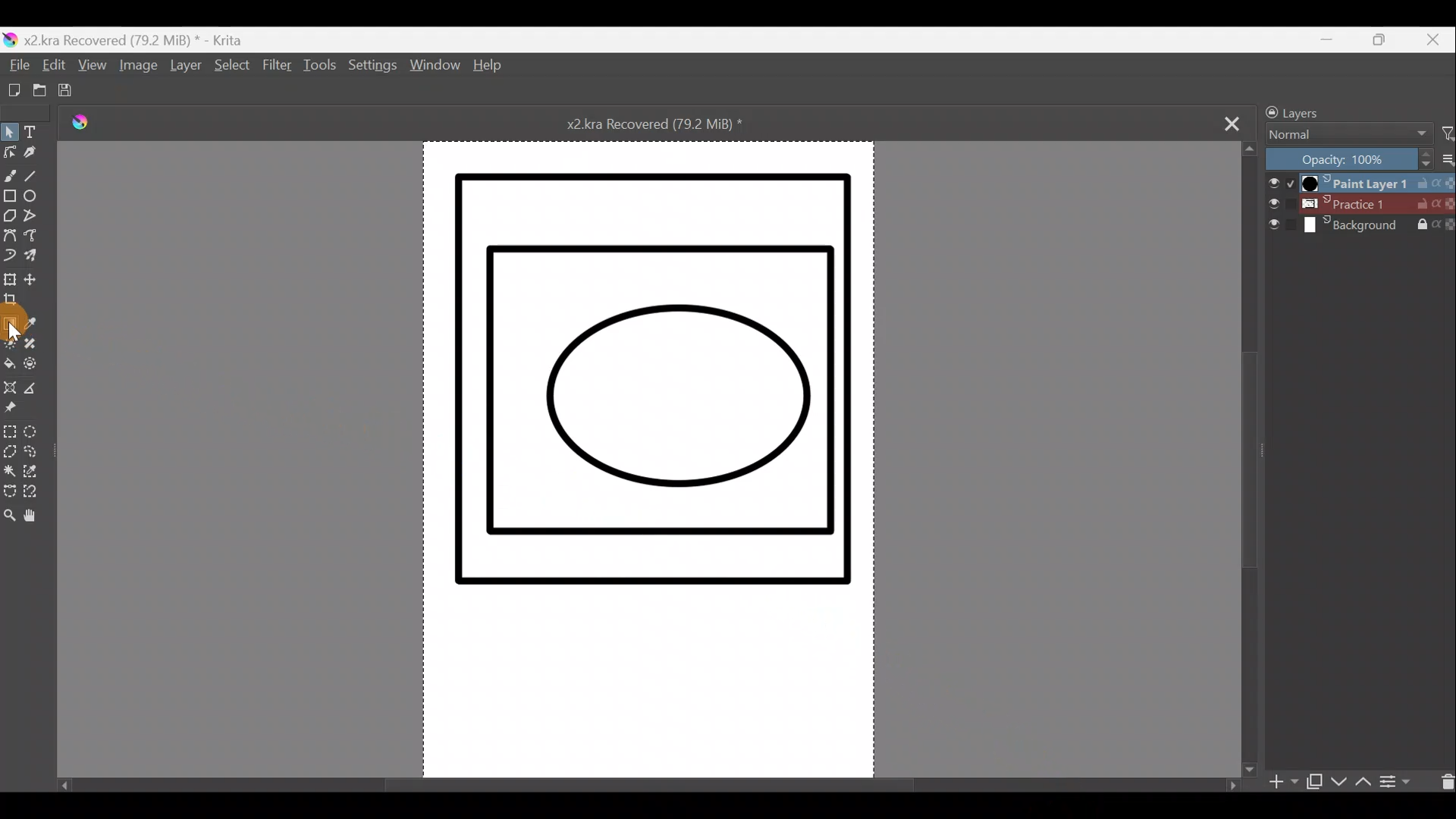 This screenshot has height=819, width=1456. What do you see at coordinates (1250, 457) in the screenshot?
I see `Scroll bar` at bounding box center [1250, 457].